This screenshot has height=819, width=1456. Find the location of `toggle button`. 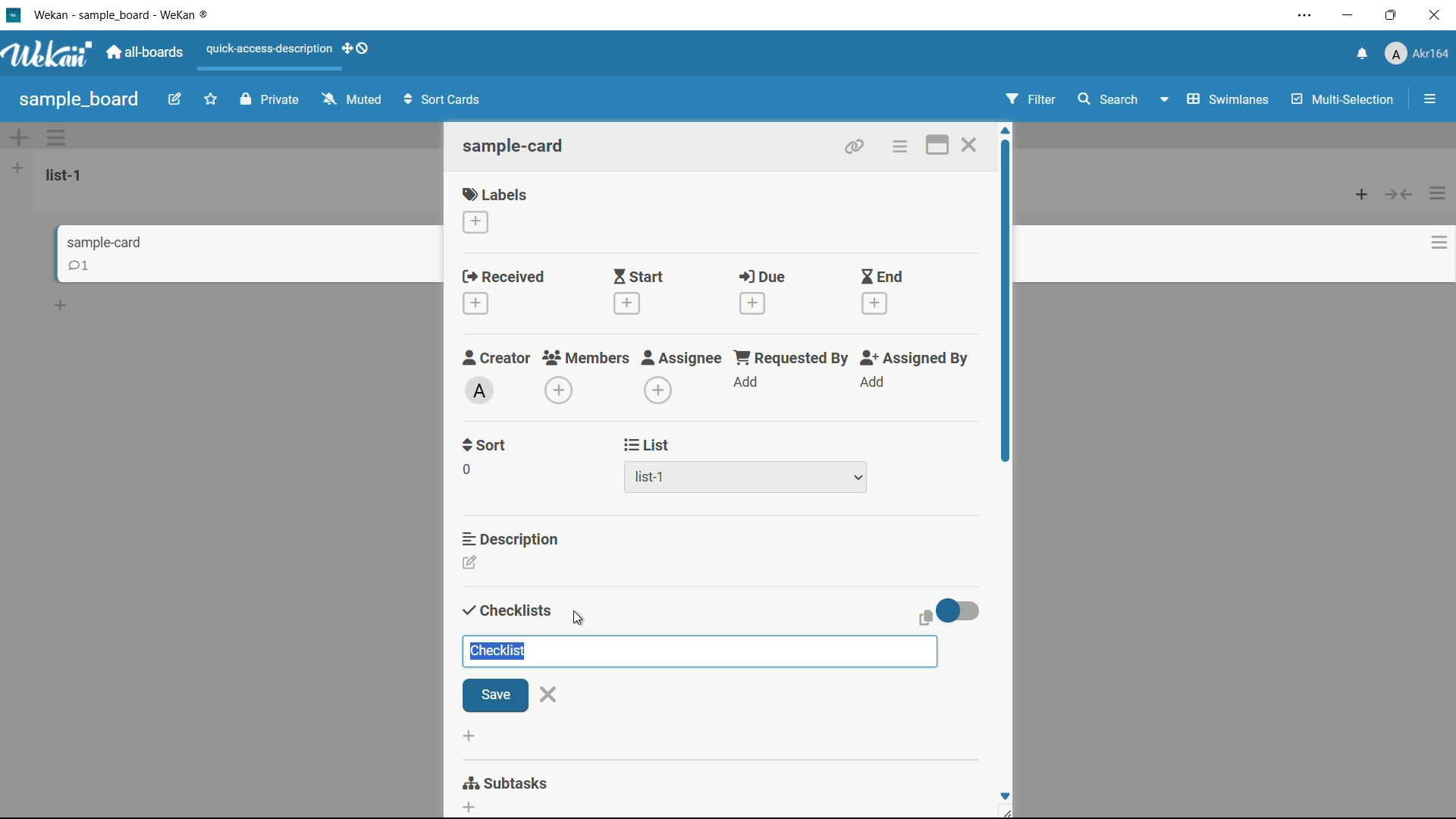

toggle button is located at coordinates (958, 608).